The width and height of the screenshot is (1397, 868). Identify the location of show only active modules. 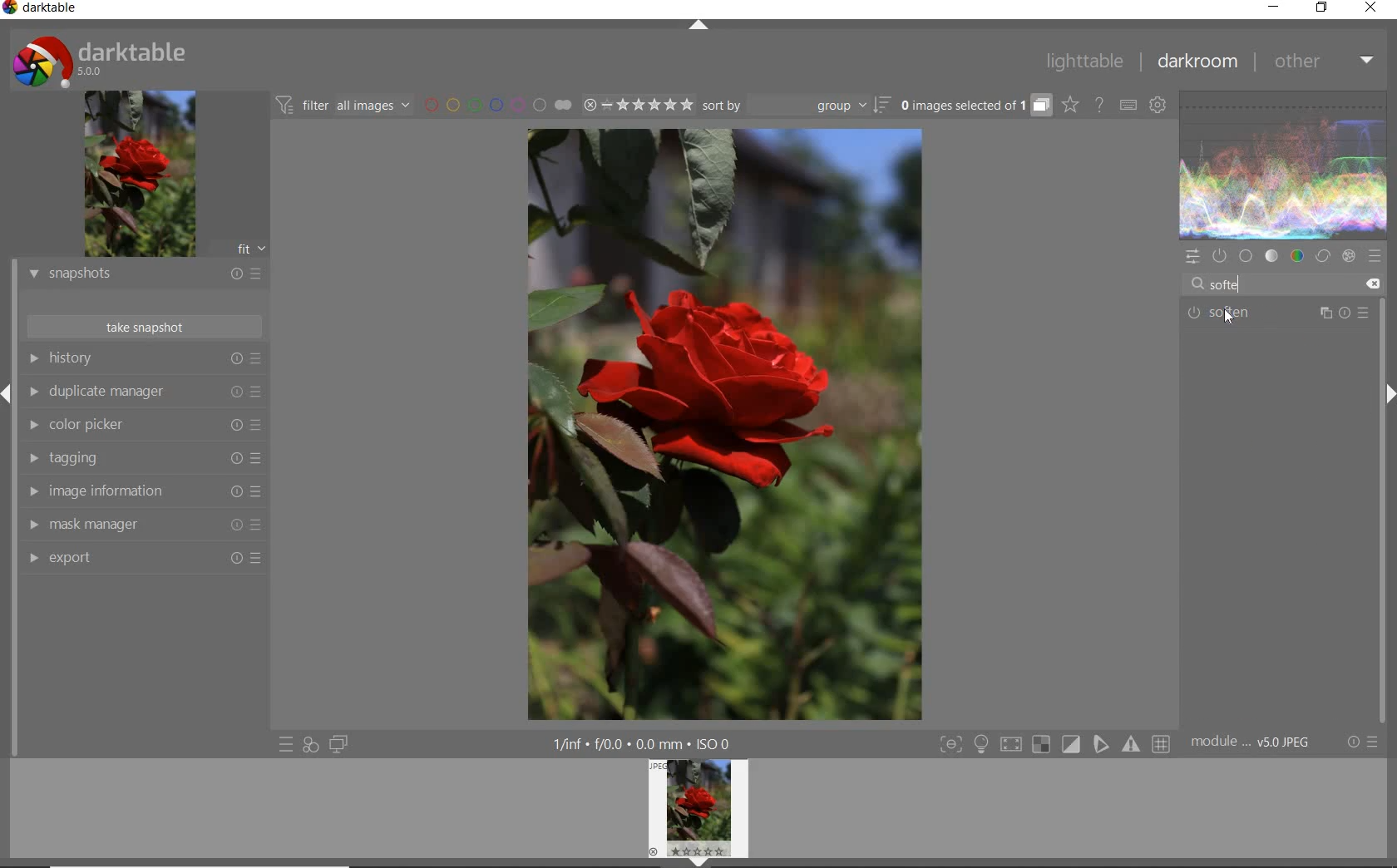
(1218, 254).